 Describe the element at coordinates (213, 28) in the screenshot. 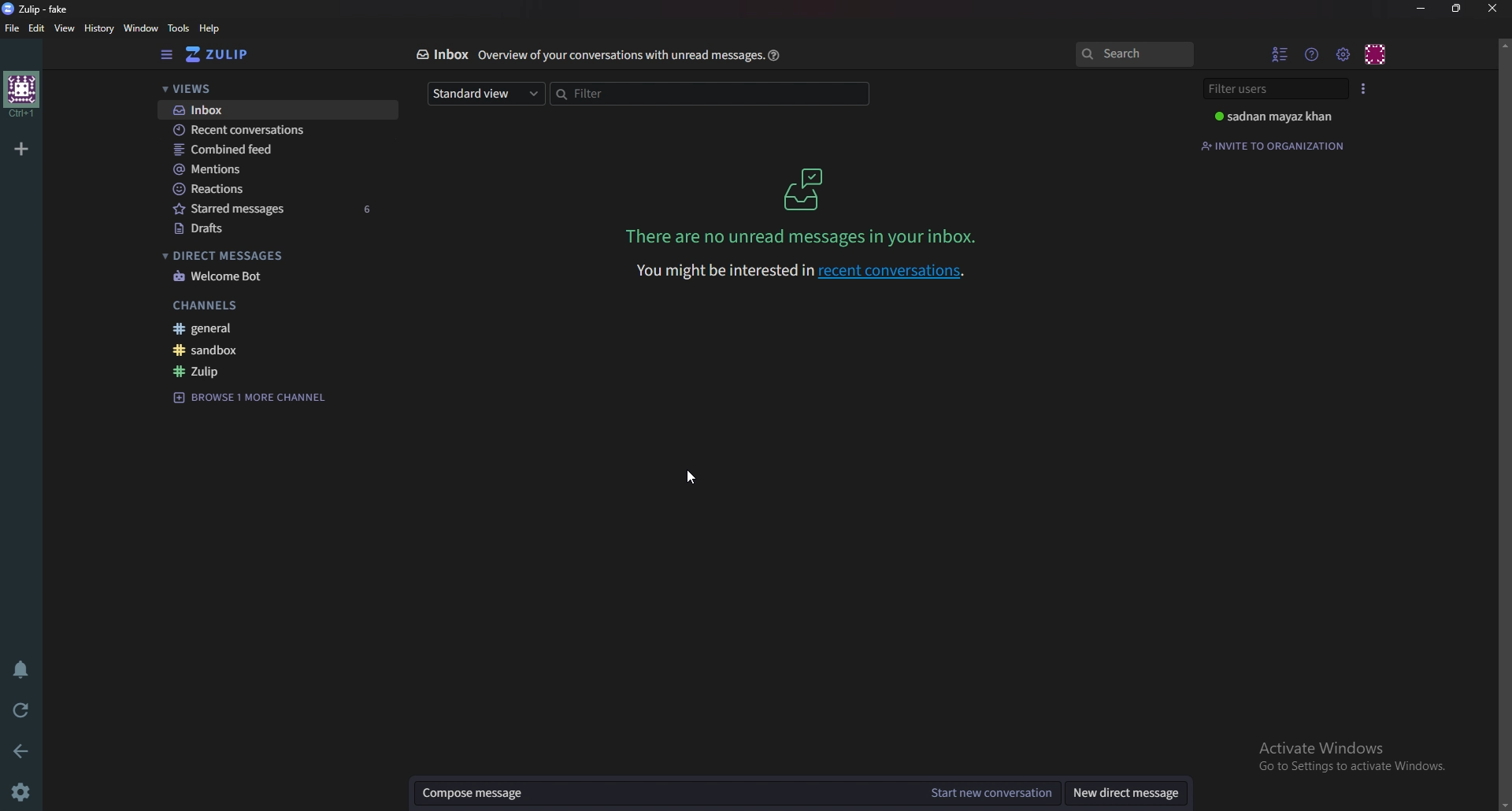

I see `Help` at that location.